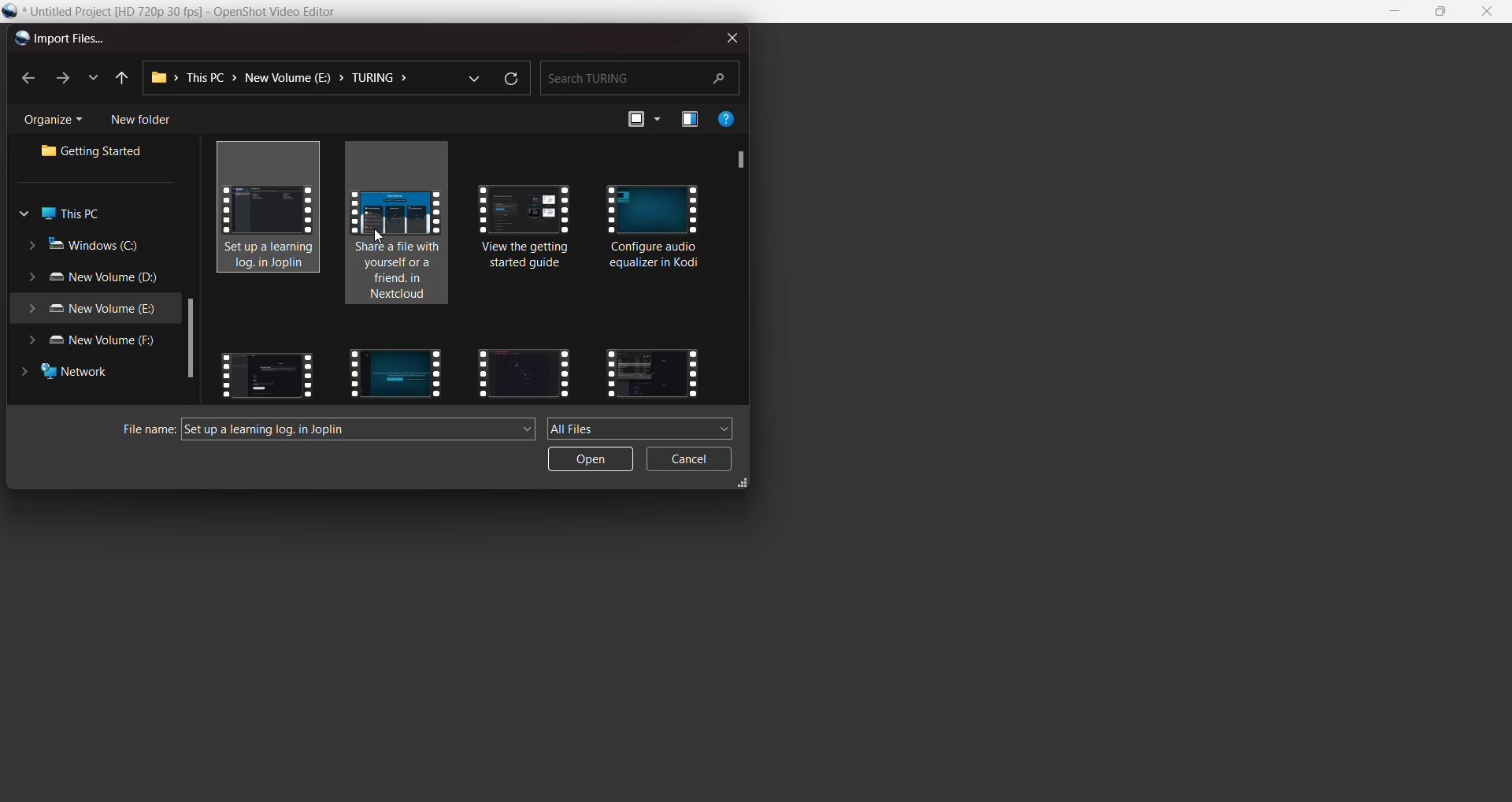 The image size is (1512, 802). I want to click on scroll bar, so click(736, 159).